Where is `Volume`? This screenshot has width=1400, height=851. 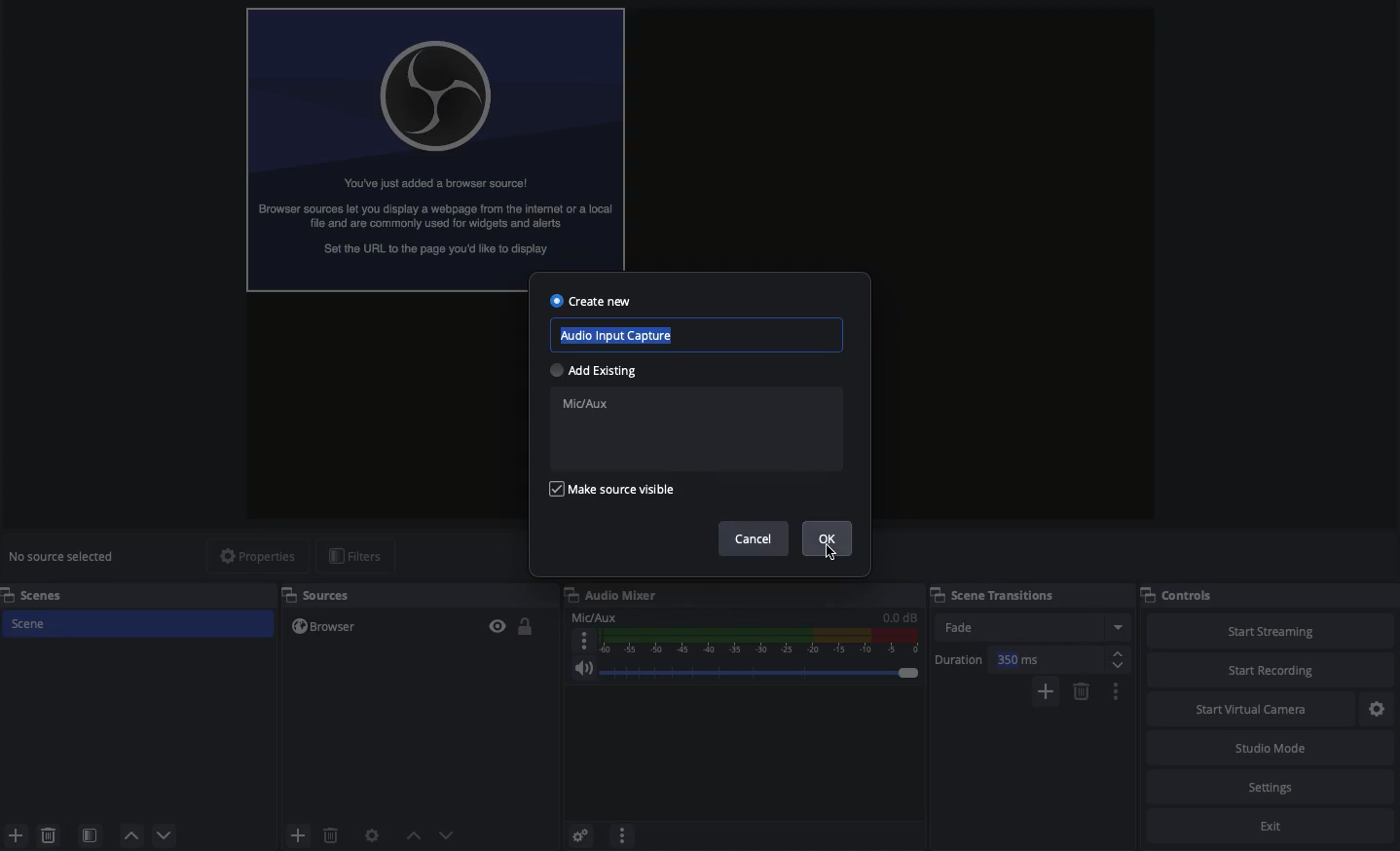 Volume is located at coordinates (743, 669).